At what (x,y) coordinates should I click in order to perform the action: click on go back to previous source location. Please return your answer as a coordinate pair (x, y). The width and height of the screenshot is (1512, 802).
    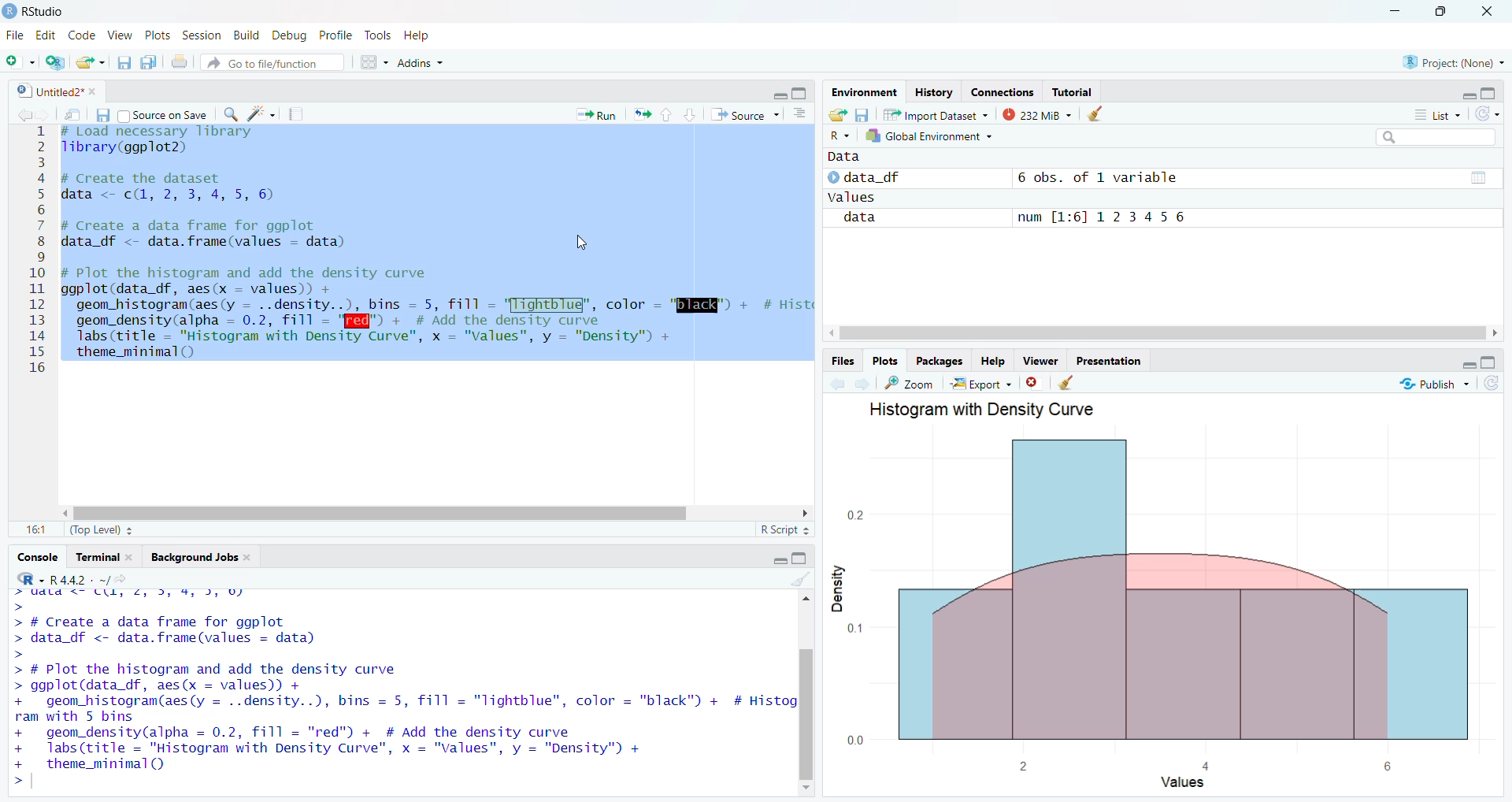
    Looking at the image, I should click on (28, 113).